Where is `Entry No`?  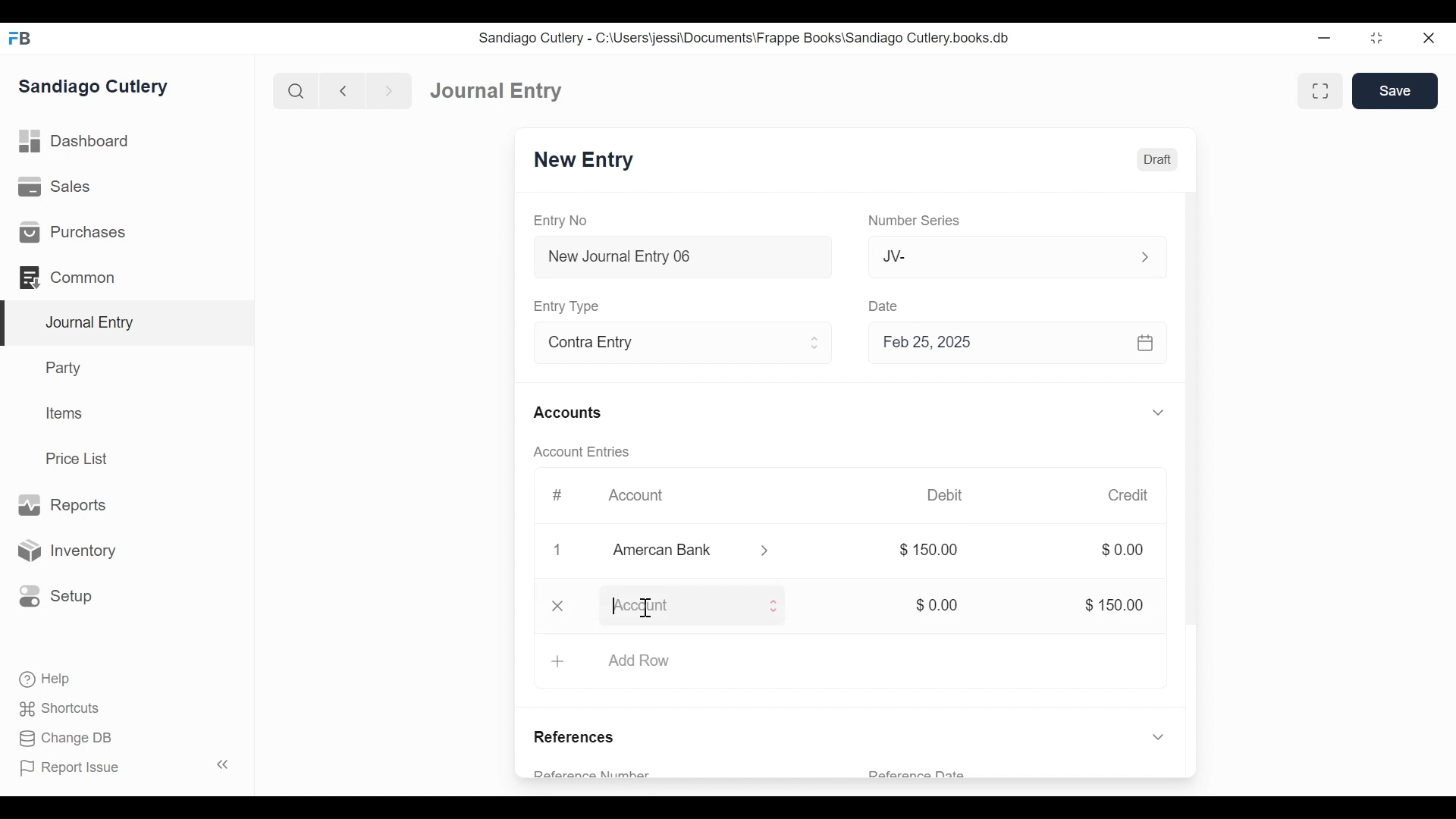 Entry No is located at coordinates (561, 221).